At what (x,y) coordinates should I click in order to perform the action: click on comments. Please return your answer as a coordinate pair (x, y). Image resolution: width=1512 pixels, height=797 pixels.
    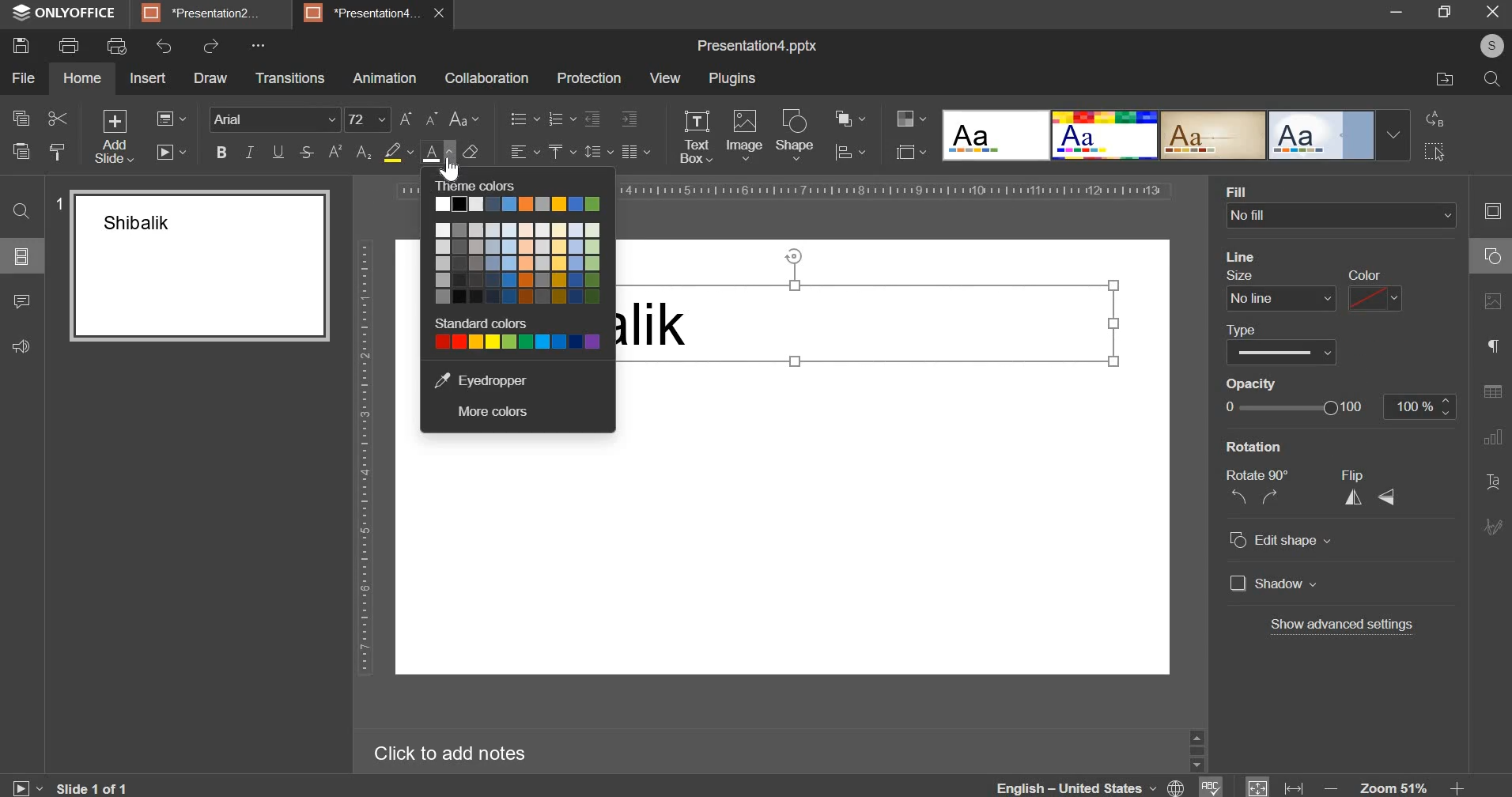
    Looking at the image, I should click on (25, 300).